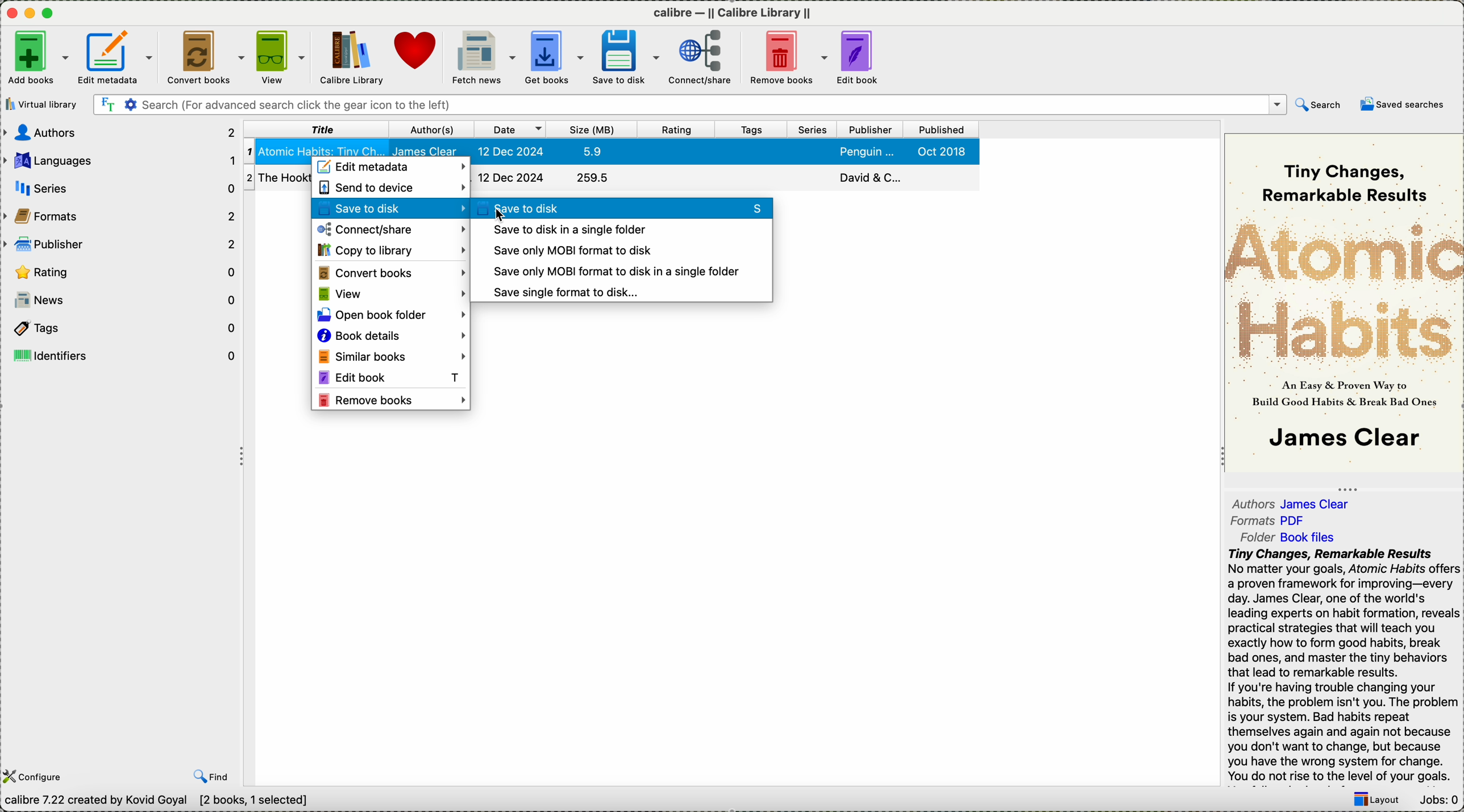  Describe the element at coordinates (350, 56) in the screenshot. I see `Calibre library` at that location.